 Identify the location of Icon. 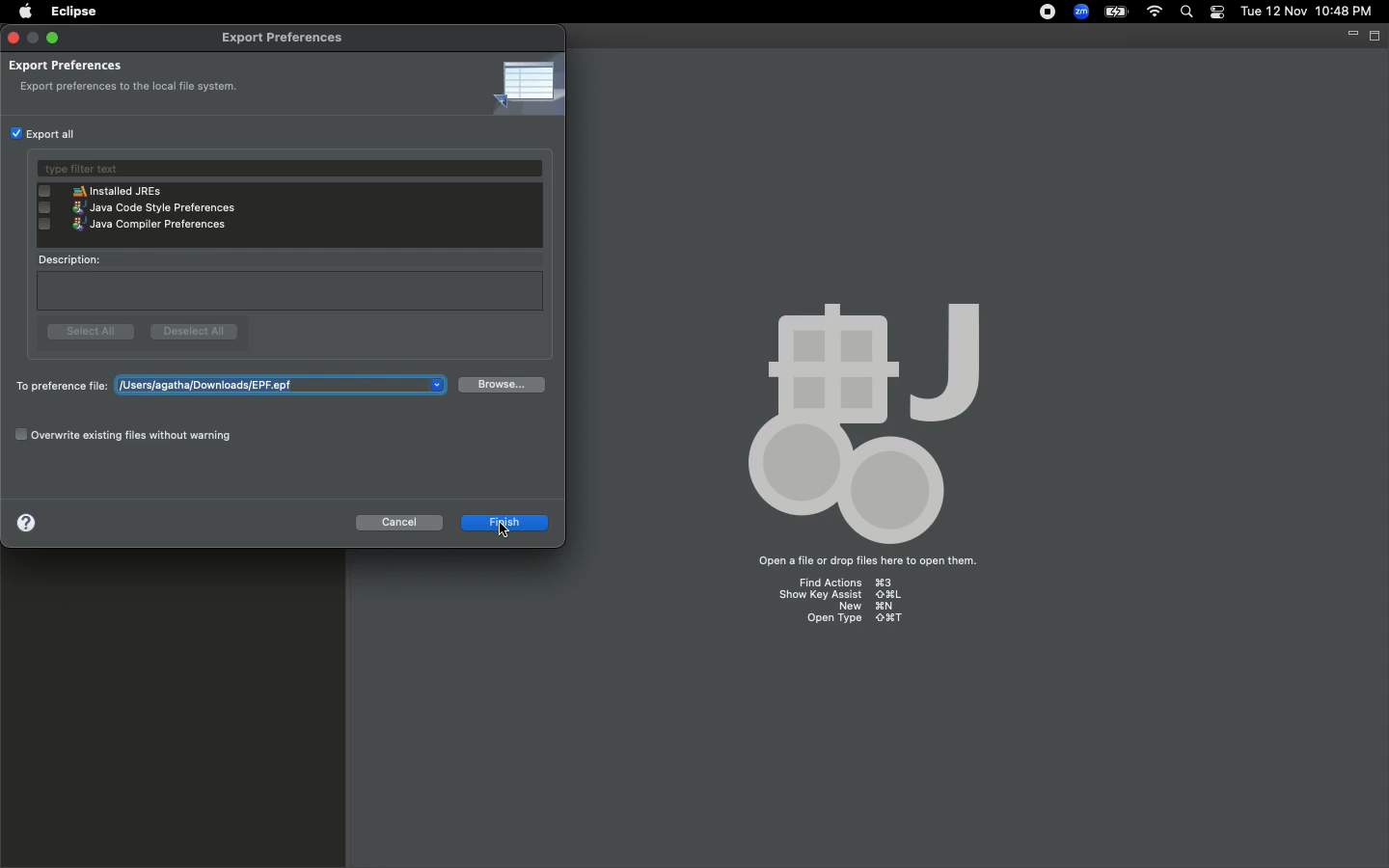
(527, 87).